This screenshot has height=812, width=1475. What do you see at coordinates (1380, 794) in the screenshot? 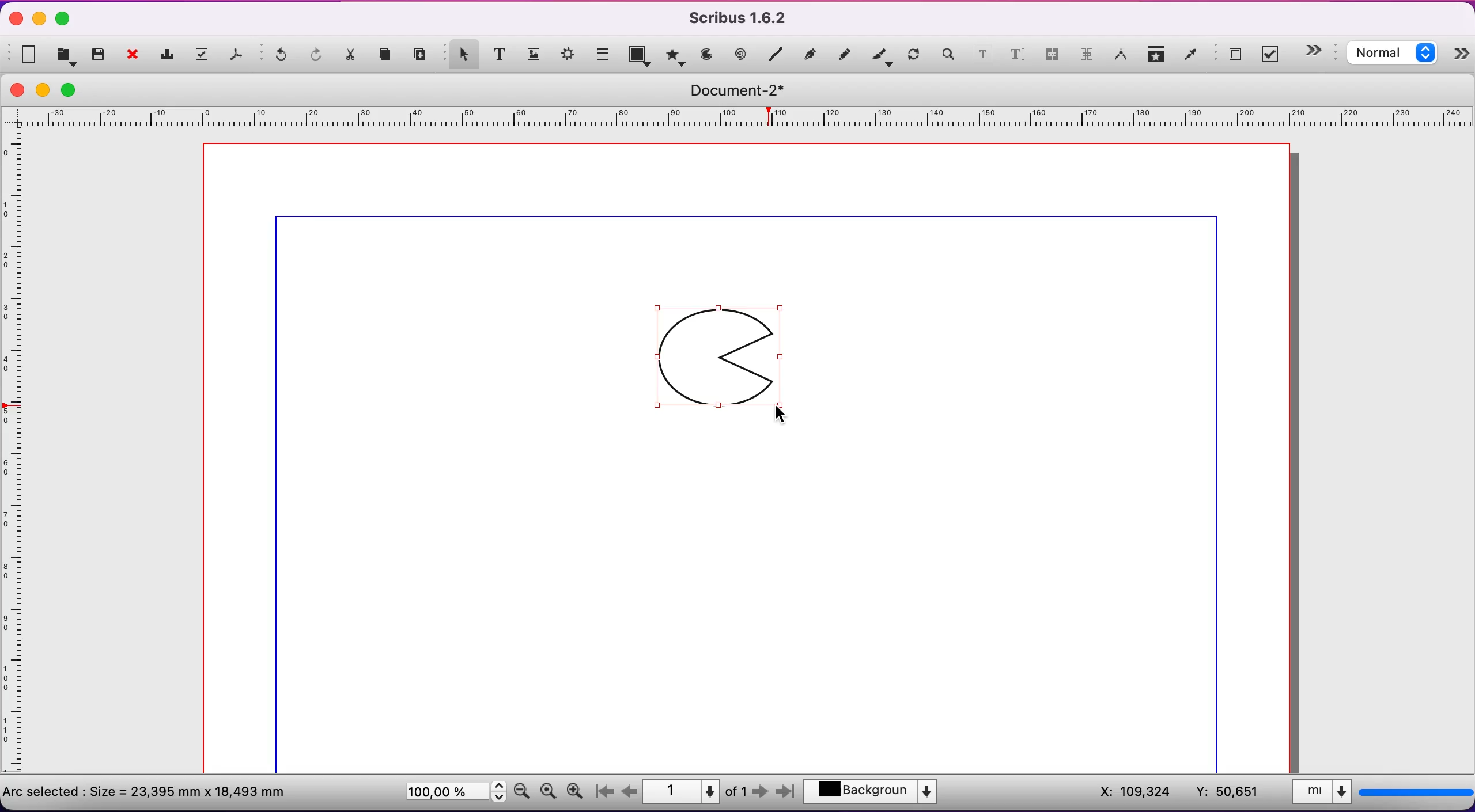
I see `measurement selected` at bounding box center [1380, 794].